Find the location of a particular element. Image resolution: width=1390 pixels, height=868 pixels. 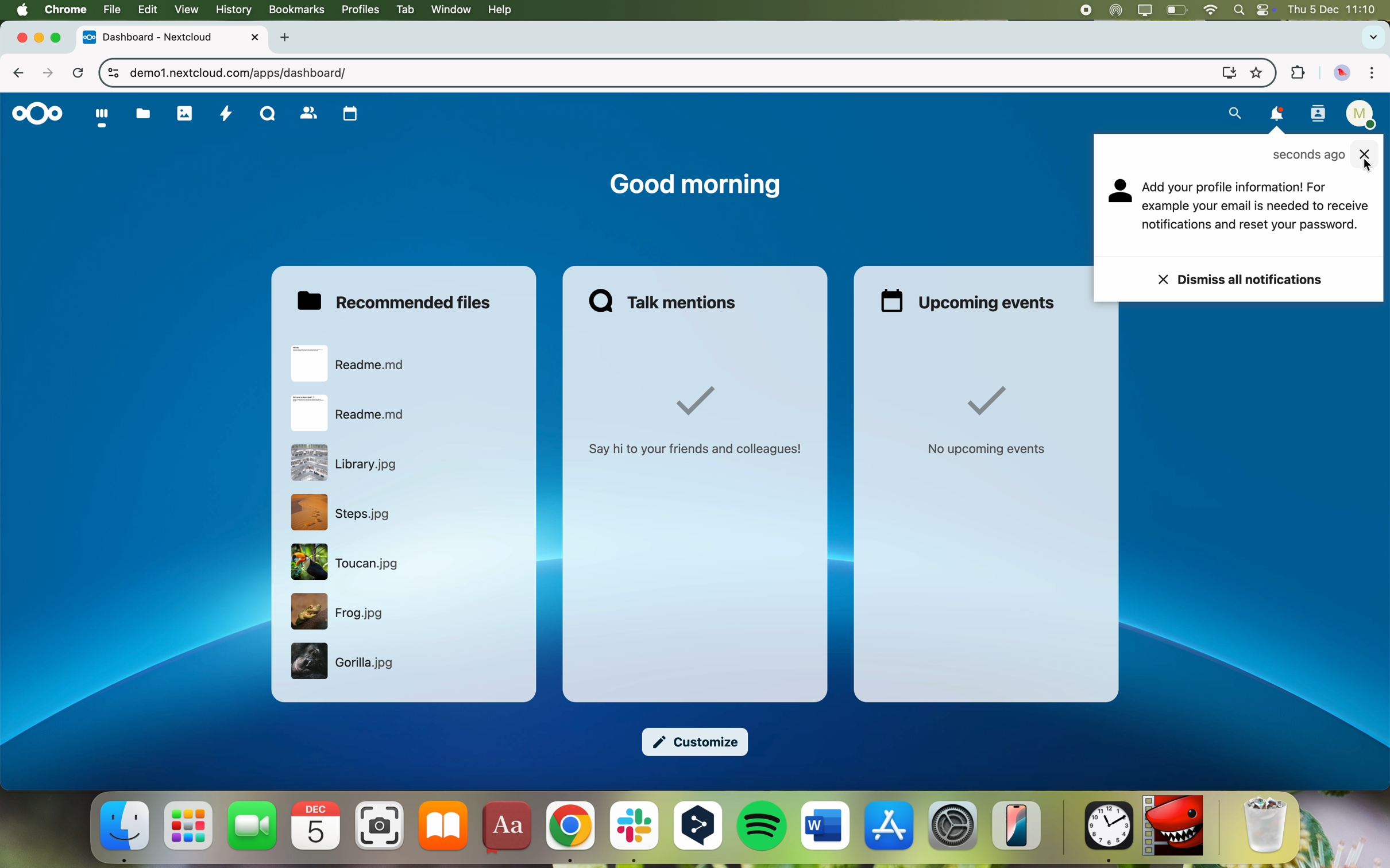

file is located at coordinates (349, 463).